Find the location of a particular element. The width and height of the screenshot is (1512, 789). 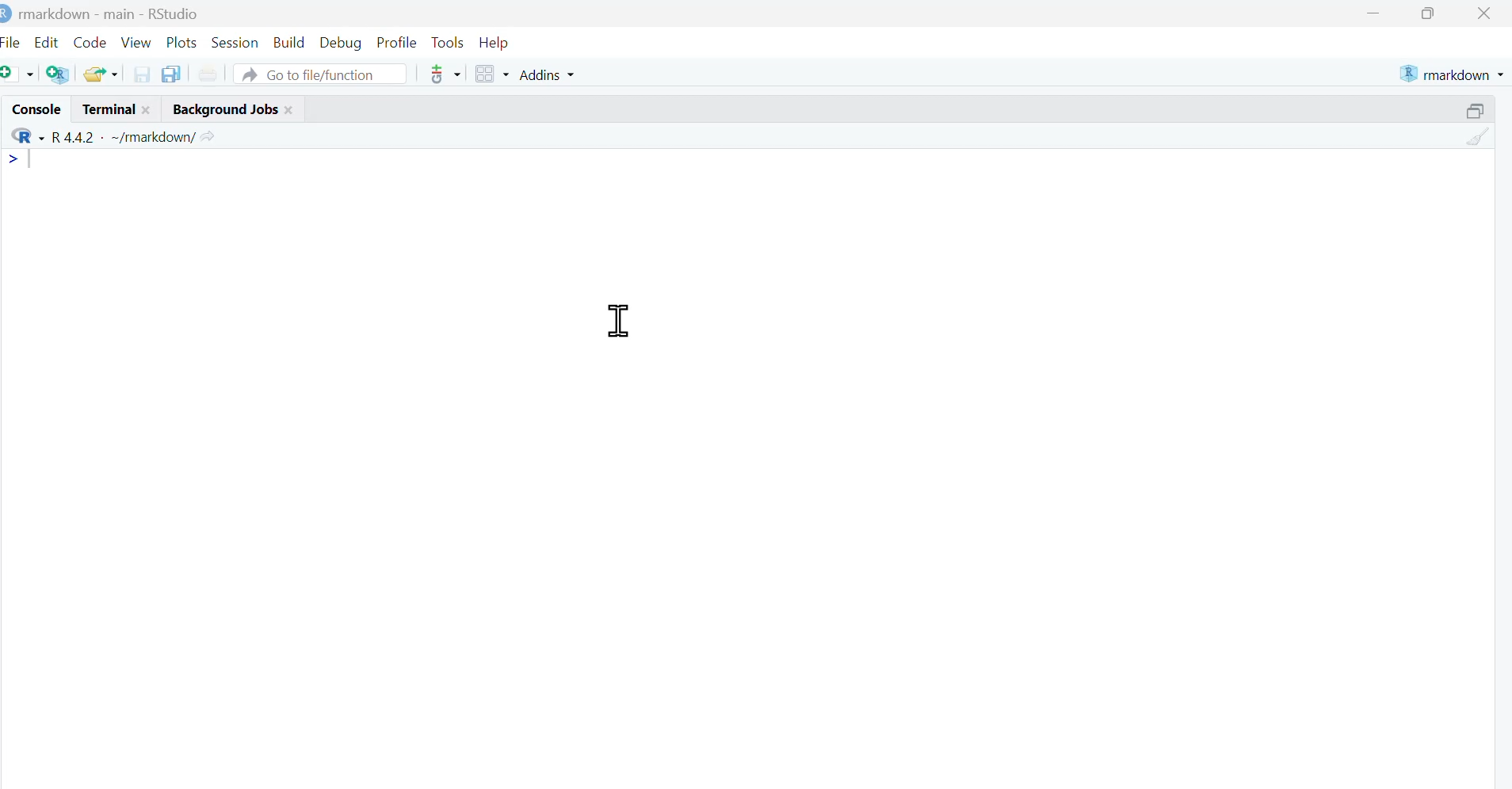

Edit is located at coordinates (48, 39).